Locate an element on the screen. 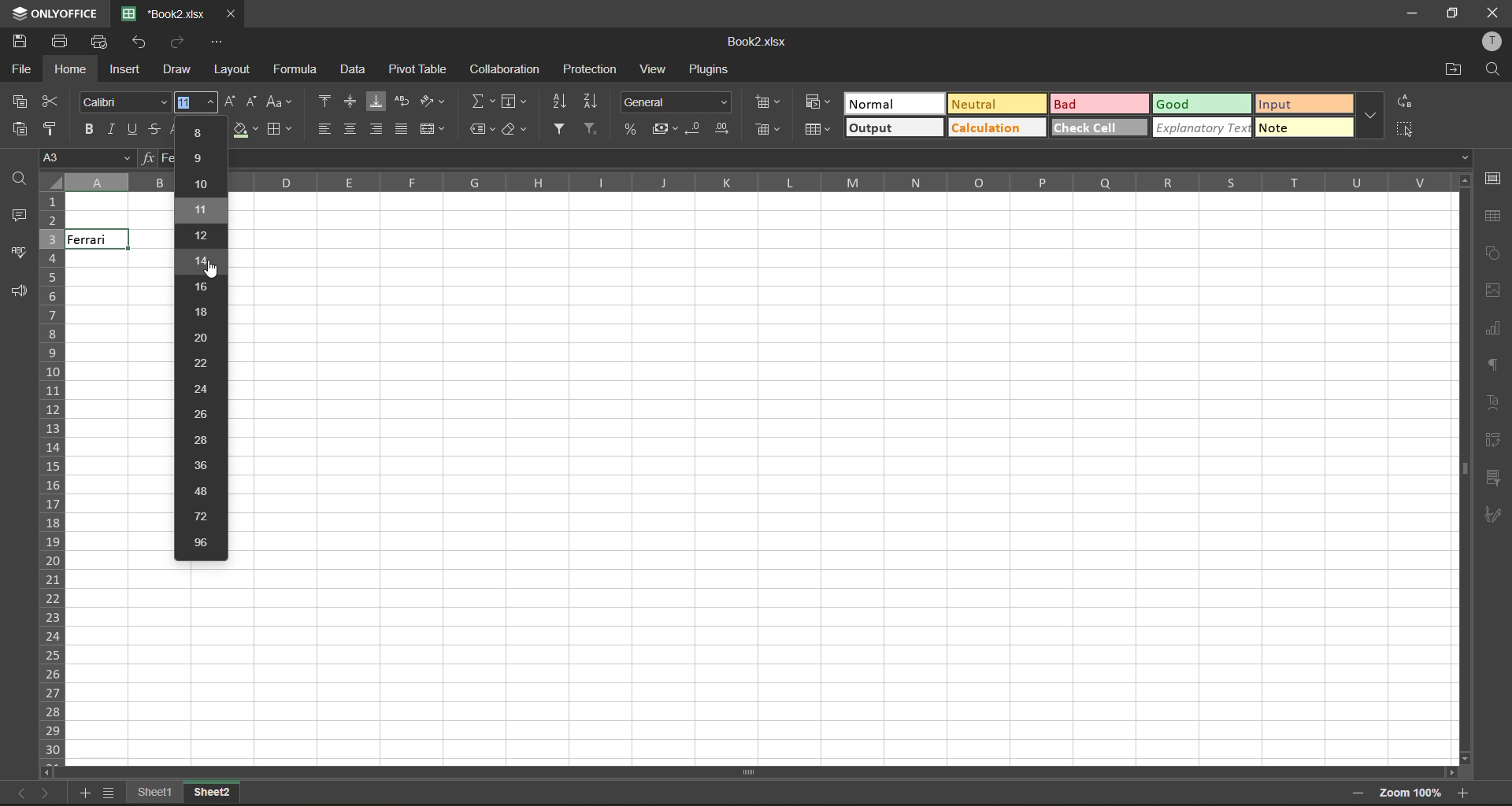  zoom in is located at coordinates (1464, 792).